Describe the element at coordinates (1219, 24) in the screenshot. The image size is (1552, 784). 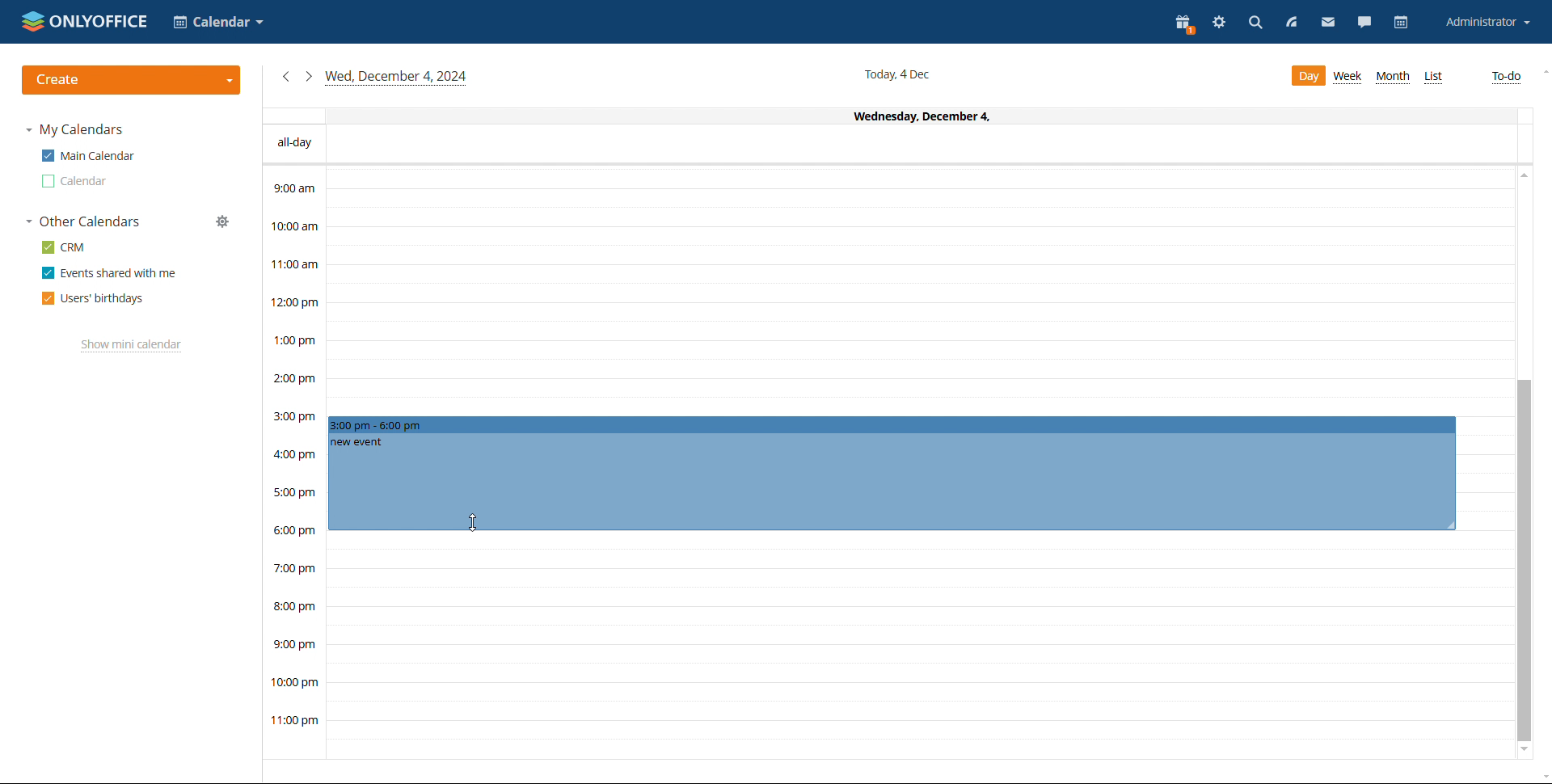
I see `settings` at that location.